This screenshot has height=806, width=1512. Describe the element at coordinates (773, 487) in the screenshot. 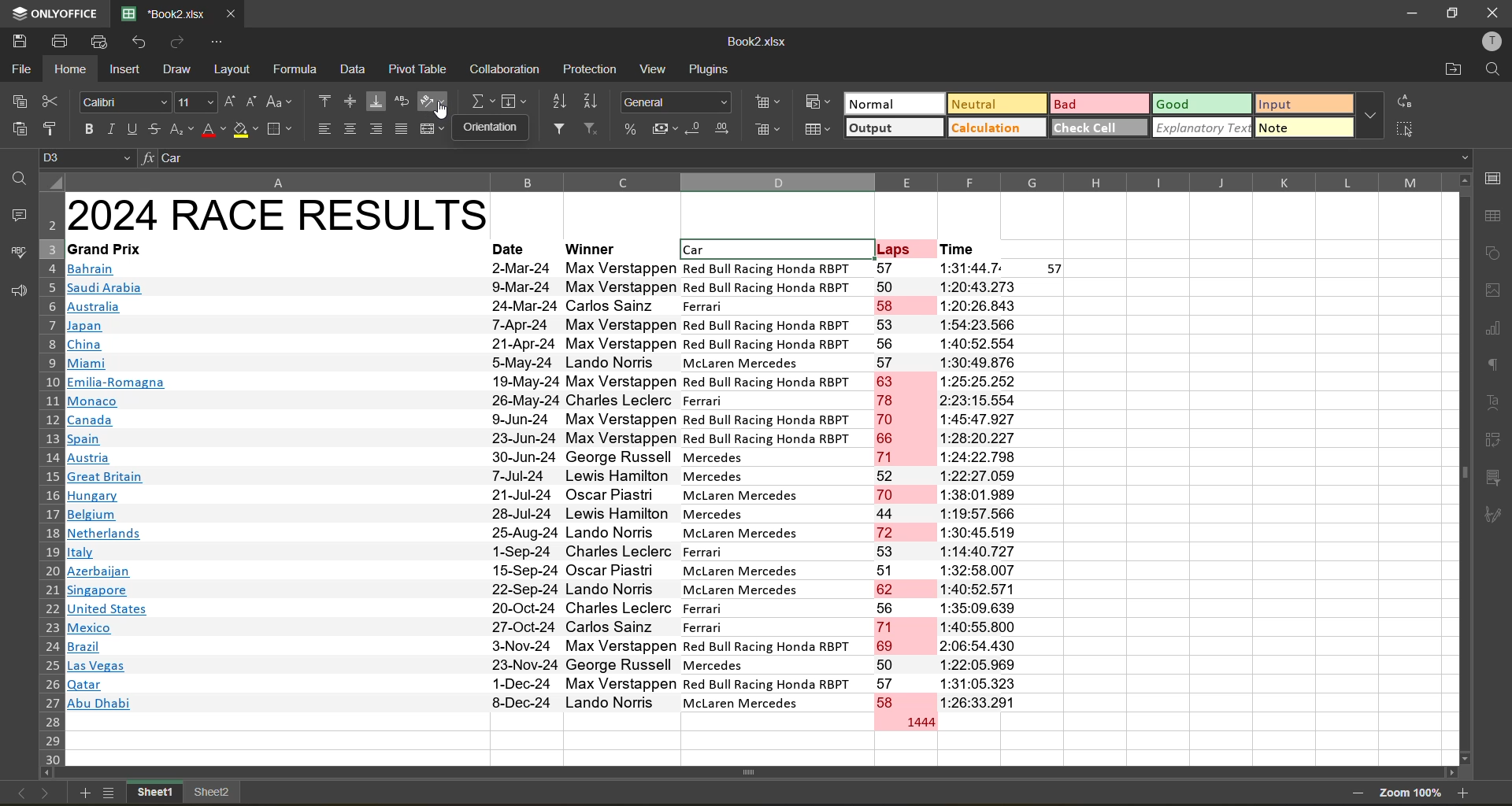

I see `Car names` at that location.